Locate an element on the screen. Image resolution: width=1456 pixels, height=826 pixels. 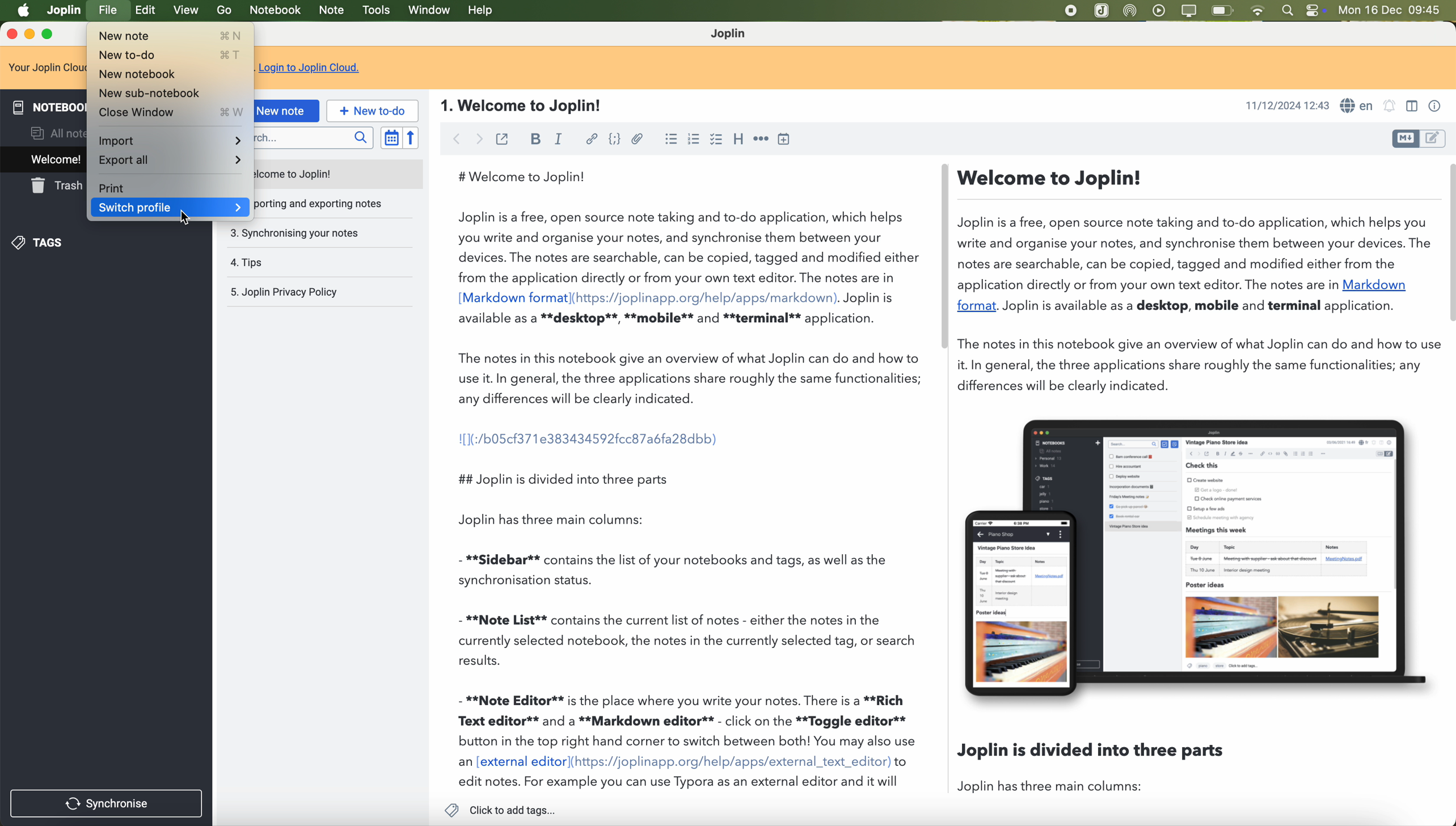
Joplin has three main columns: is located at coordinates (568, 520).